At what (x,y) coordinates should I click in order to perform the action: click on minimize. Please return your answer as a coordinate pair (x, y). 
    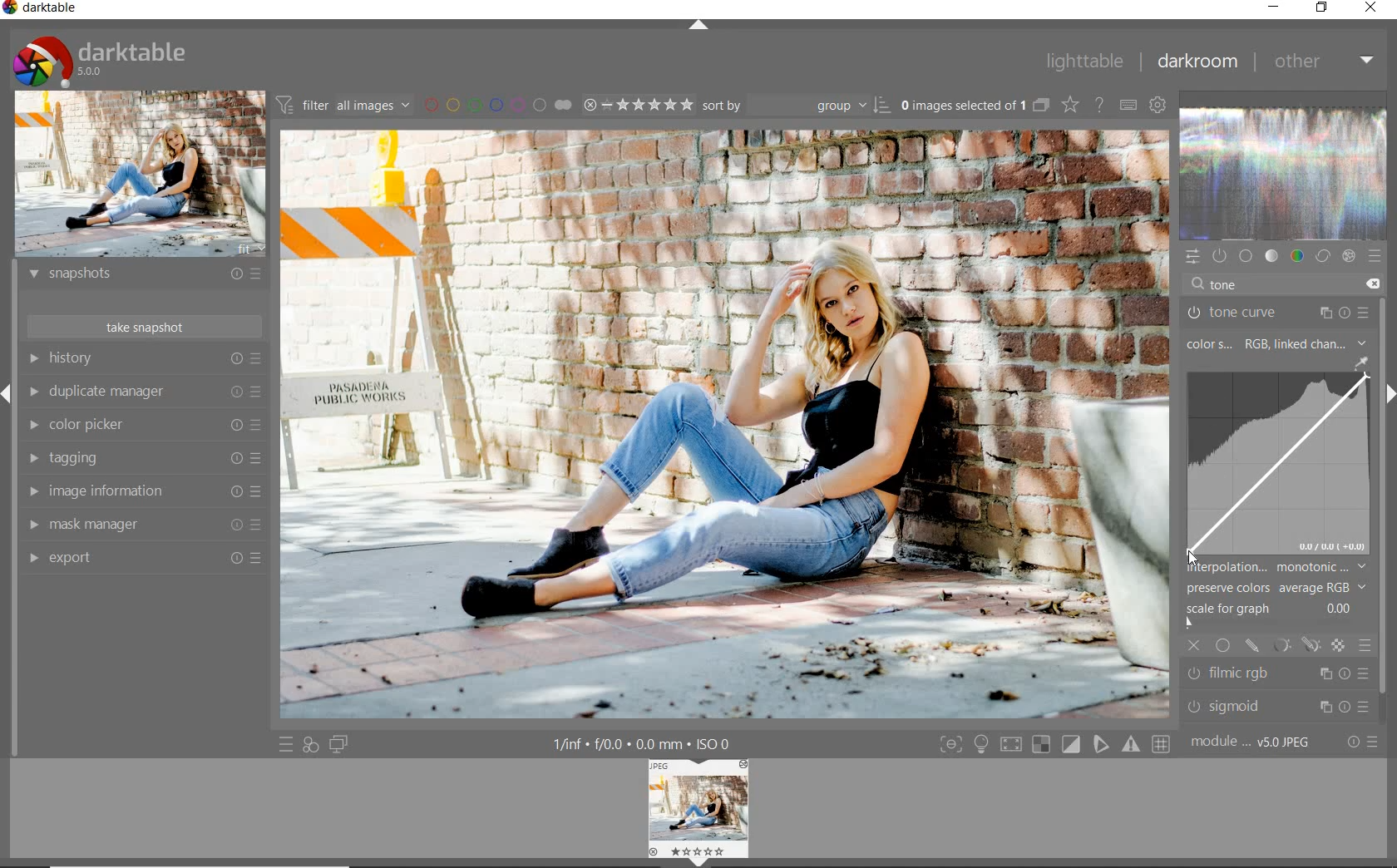
    Looking at the image, I should click on (1275, 7).